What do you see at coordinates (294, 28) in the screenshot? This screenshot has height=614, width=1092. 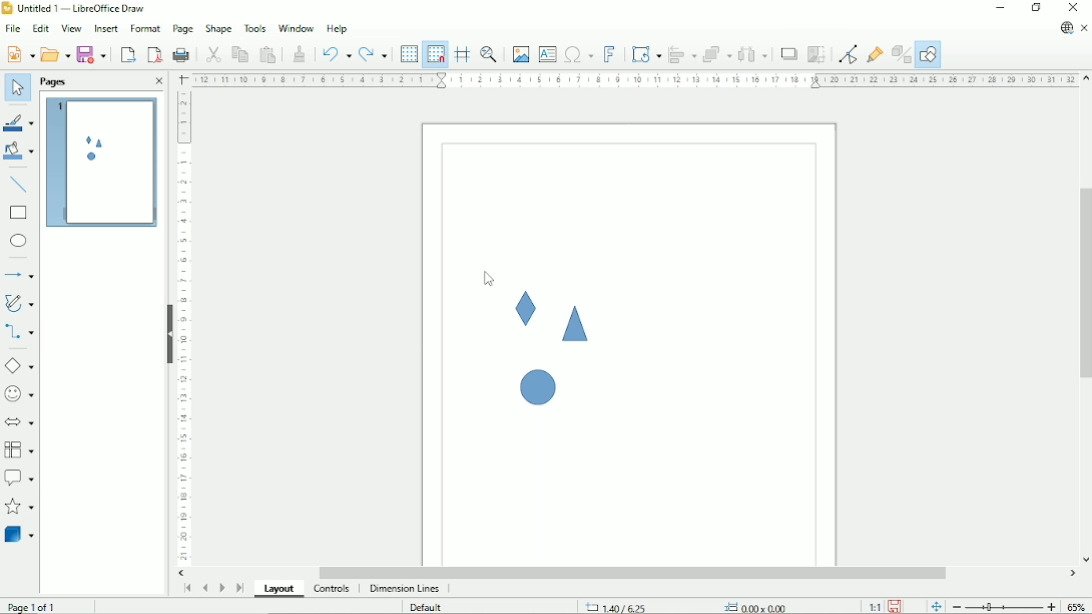 I see `Window` at bounding box center [294, 28].